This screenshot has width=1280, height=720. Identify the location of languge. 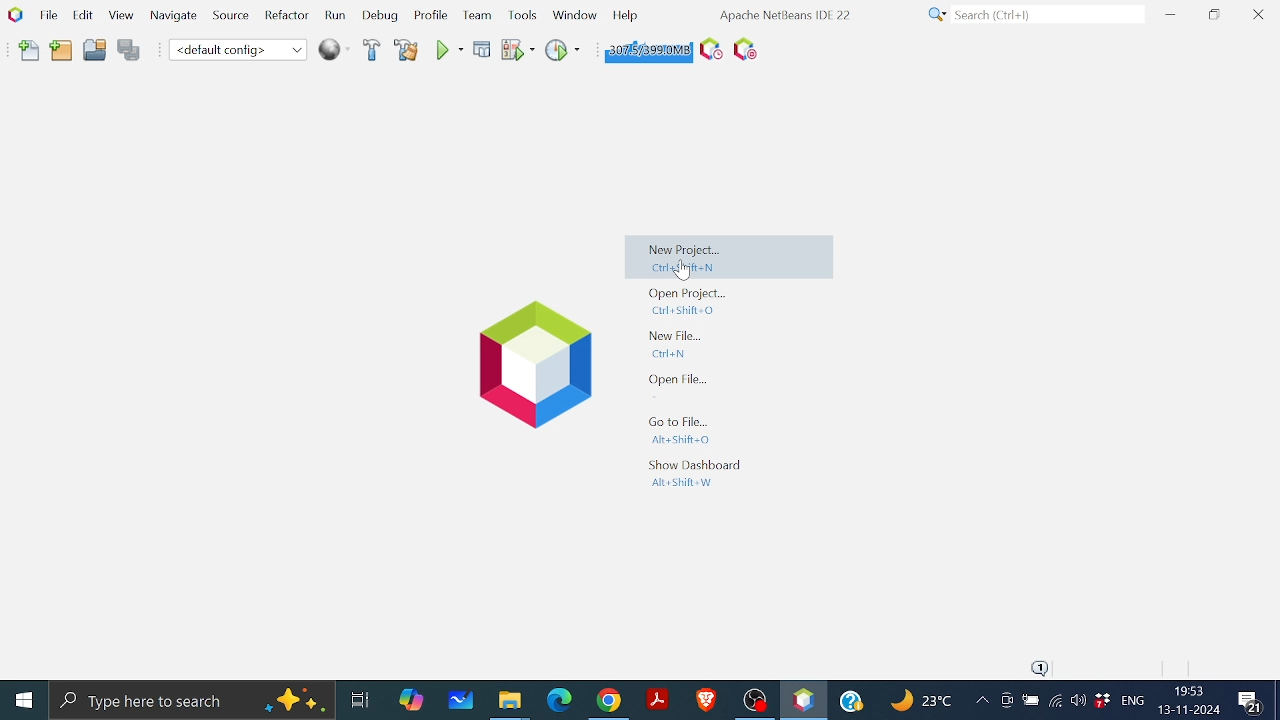
(1133, 702).